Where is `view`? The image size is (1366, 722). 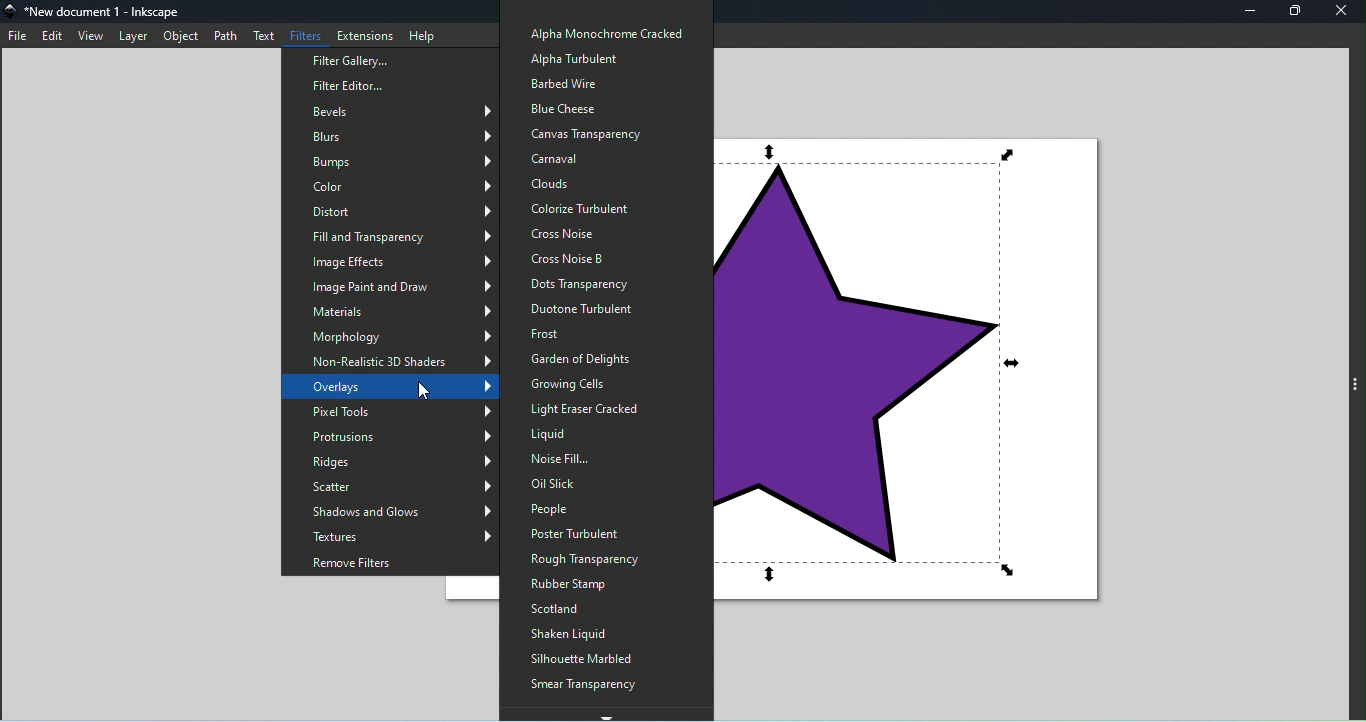
view is located at coordinates (90, 36).